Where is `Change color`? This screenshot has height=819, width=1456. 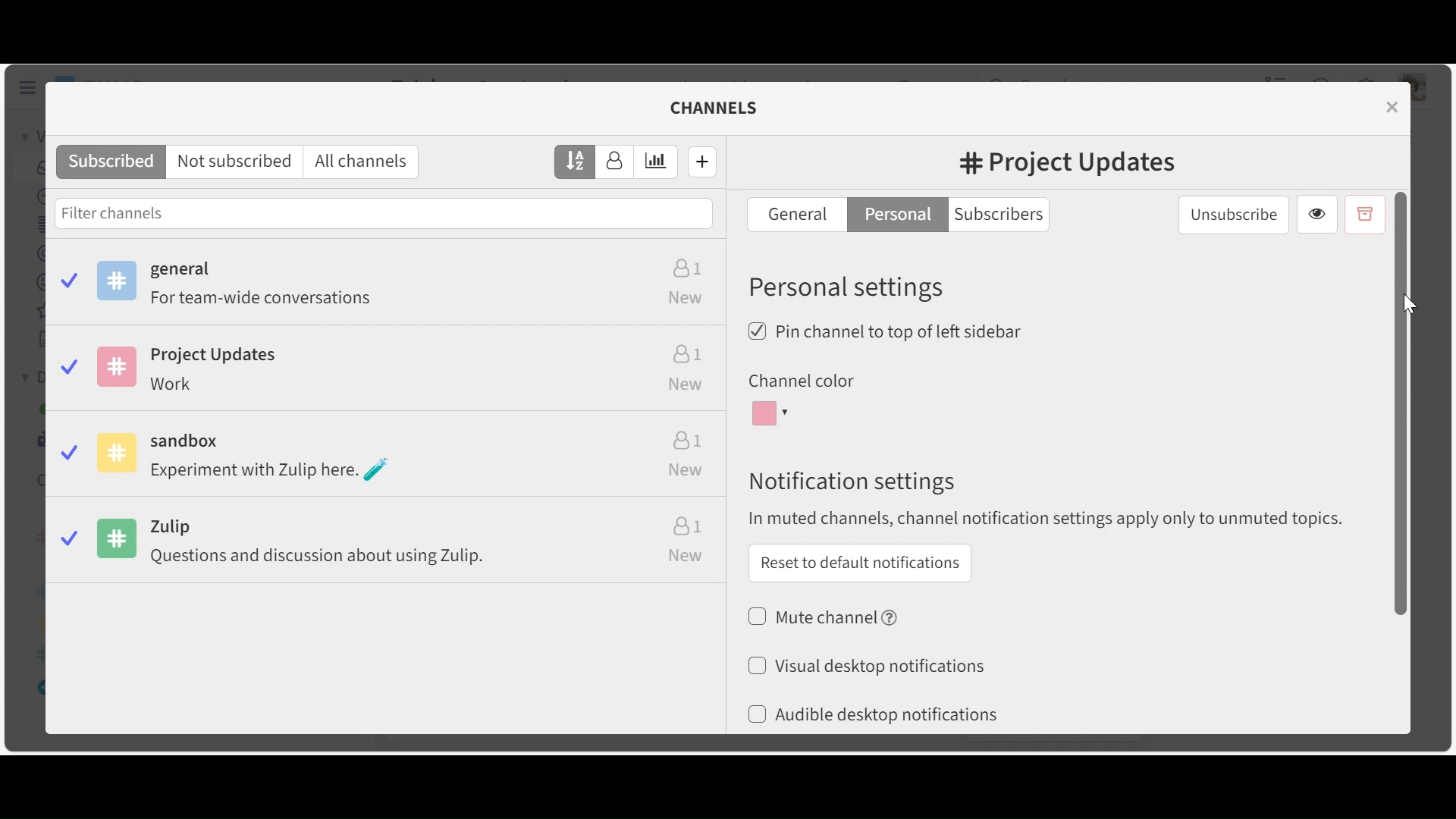
Change color is located at coordinates (870, 373).